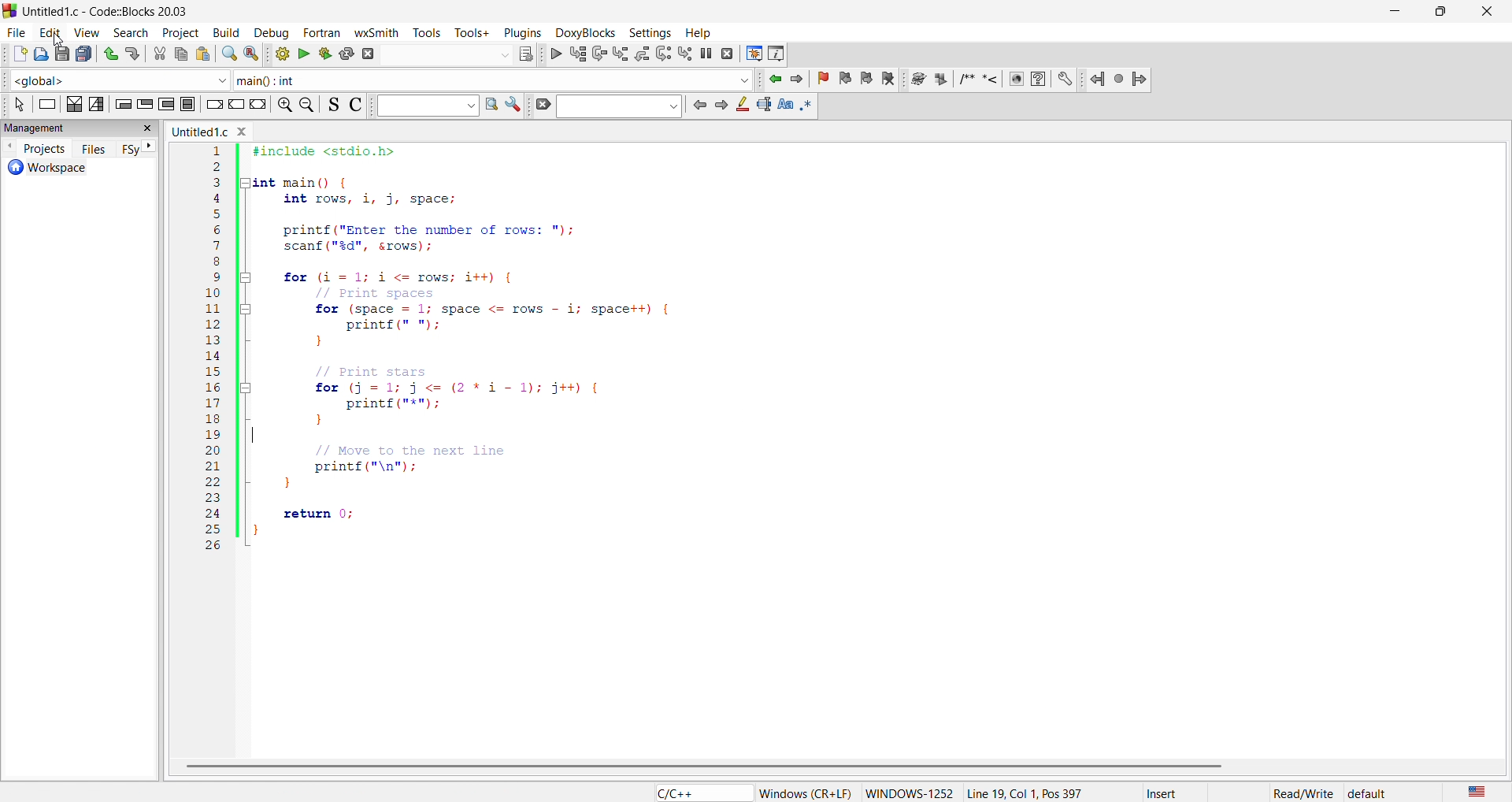  What do you see at coordinates (801, 79) in the screenshot?
I see `jump forward` at bounding box center [801, 79].